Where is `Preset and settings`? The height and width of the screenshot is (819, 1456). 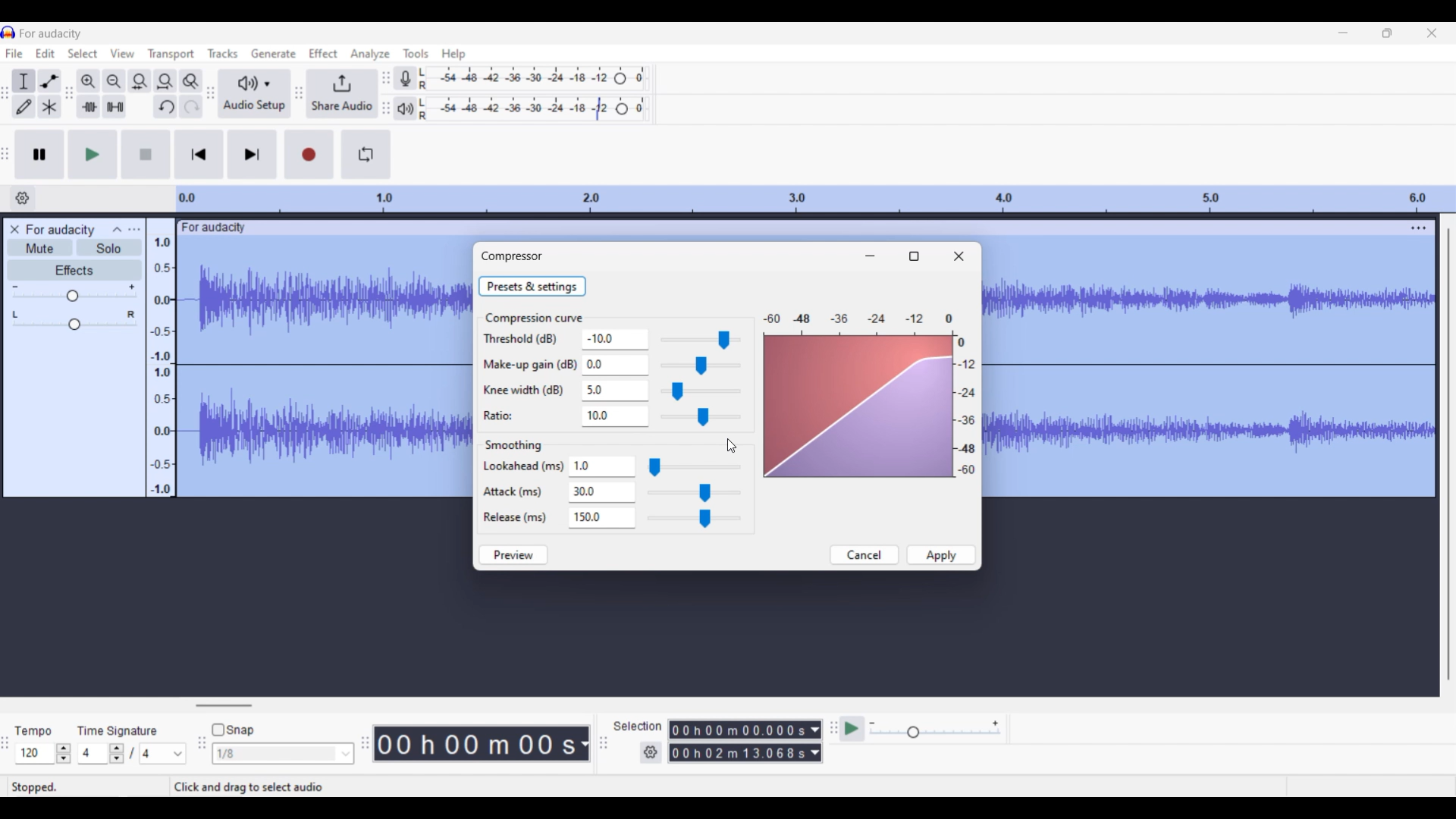
Preset and settings is located at coordinates (532, 286).